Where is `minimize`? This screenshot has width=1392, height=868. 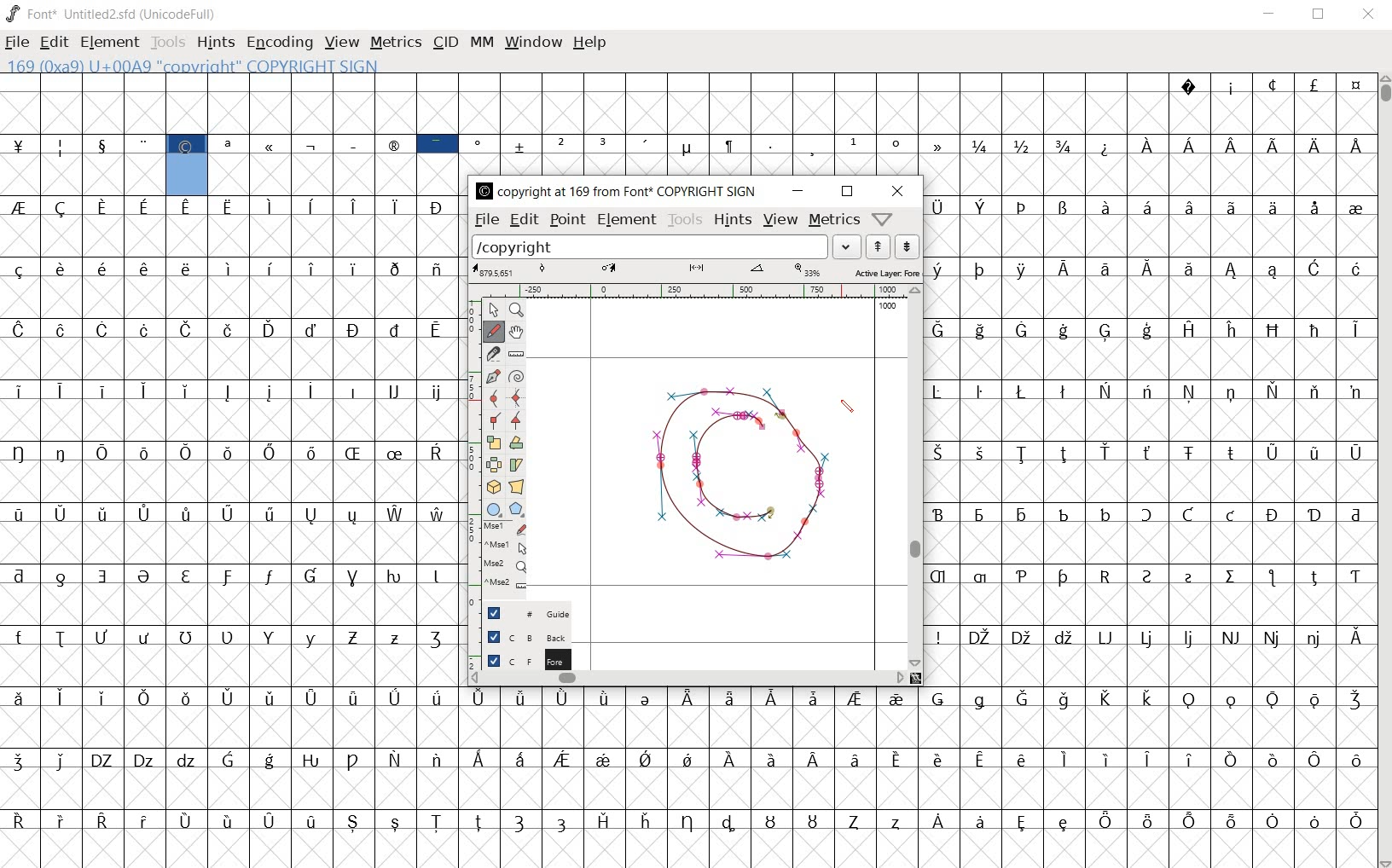 minimize is located at coordinates (797, 191).